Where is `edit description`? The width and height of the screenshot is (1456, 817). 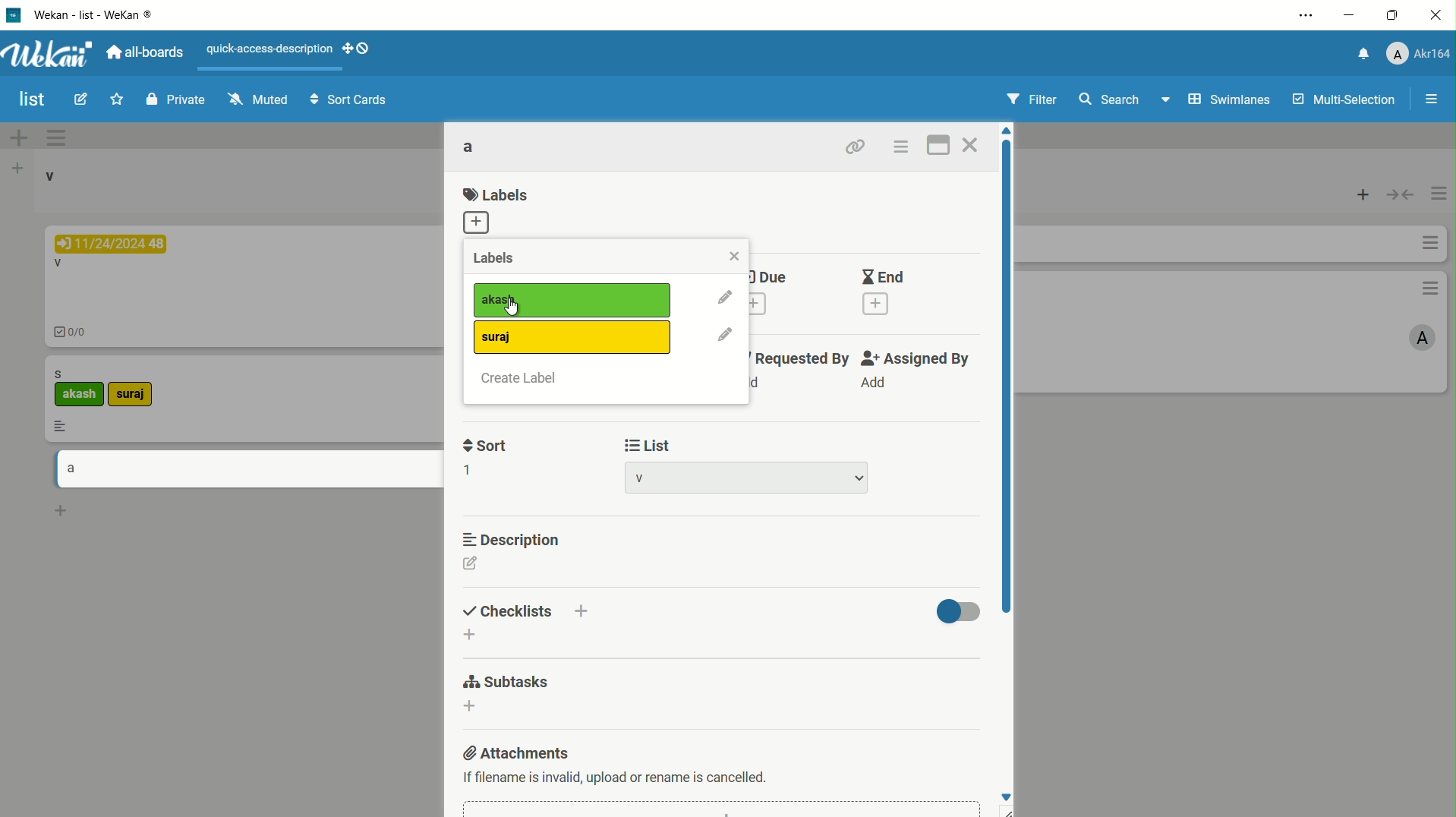
edit description is located at coordinates (471, 563).